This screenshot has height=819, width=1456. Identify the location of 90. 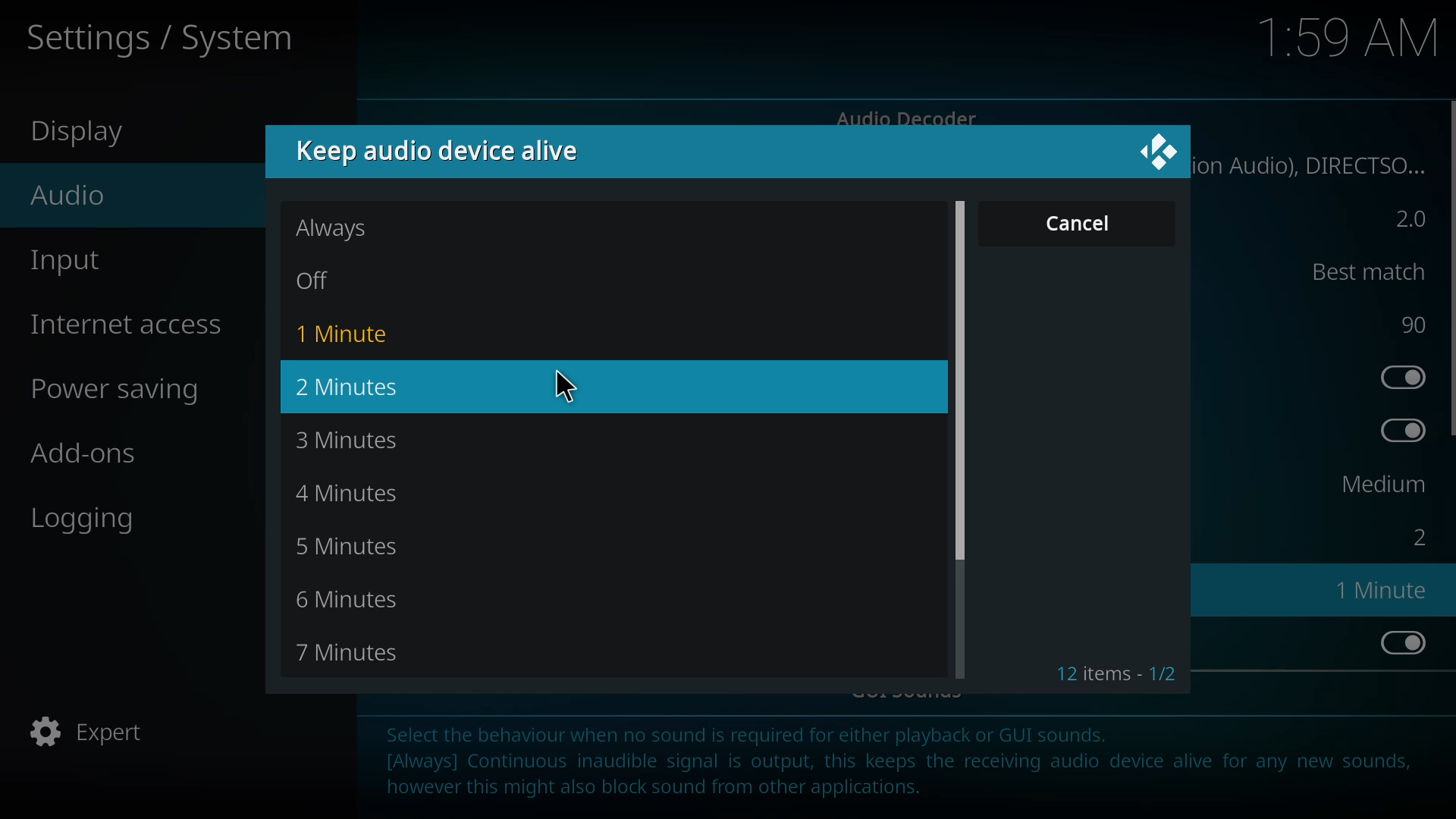
(1411, 325).